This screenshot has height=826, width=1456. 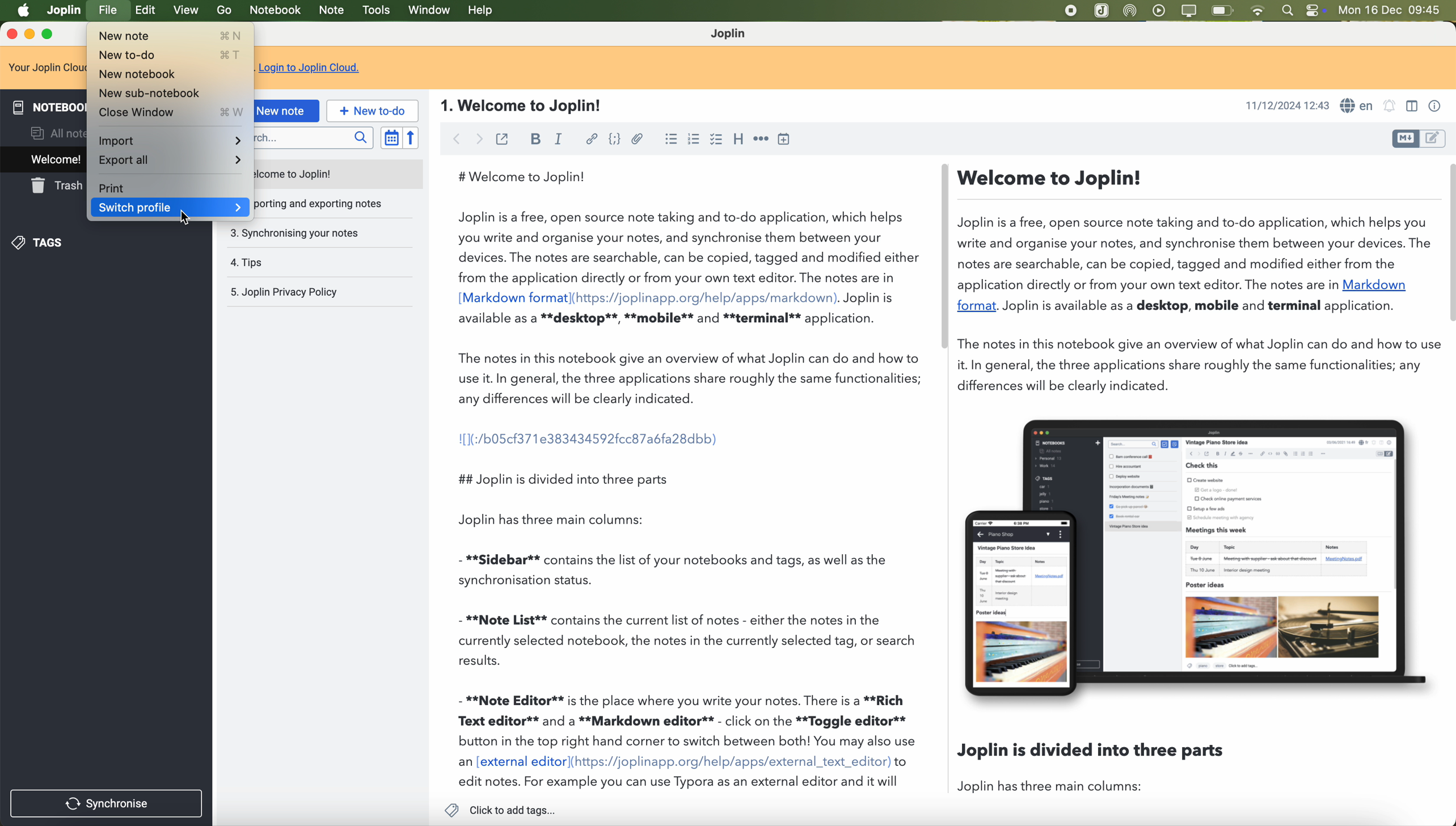 What do you see at coordinates (1194, 559) in the screenshot?
I see `image` at bounding box center [1194, 559].